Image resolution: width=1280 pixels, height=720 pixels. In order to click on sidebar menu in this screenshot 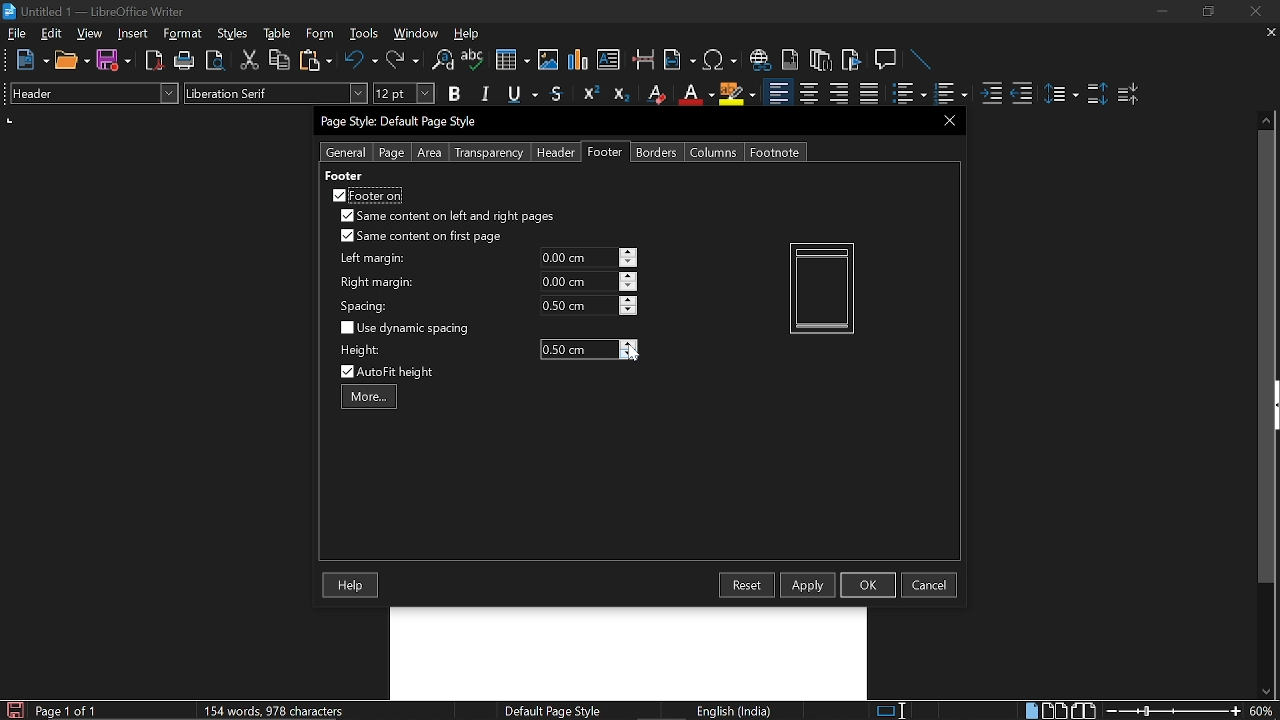, I will do `click(1276, 405)`.